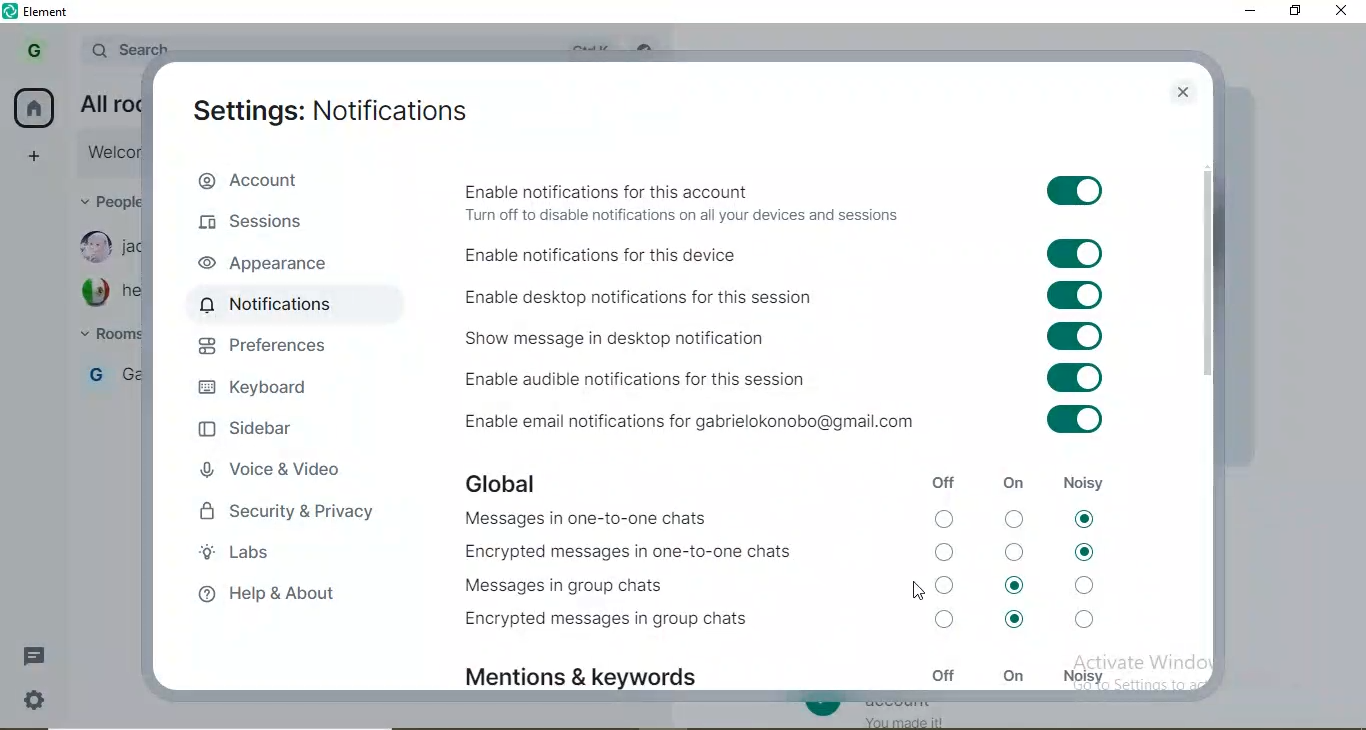 Image resolution: width=1366 pixels, height=730 pixels. I want to click on hector73, so click(131, 291).